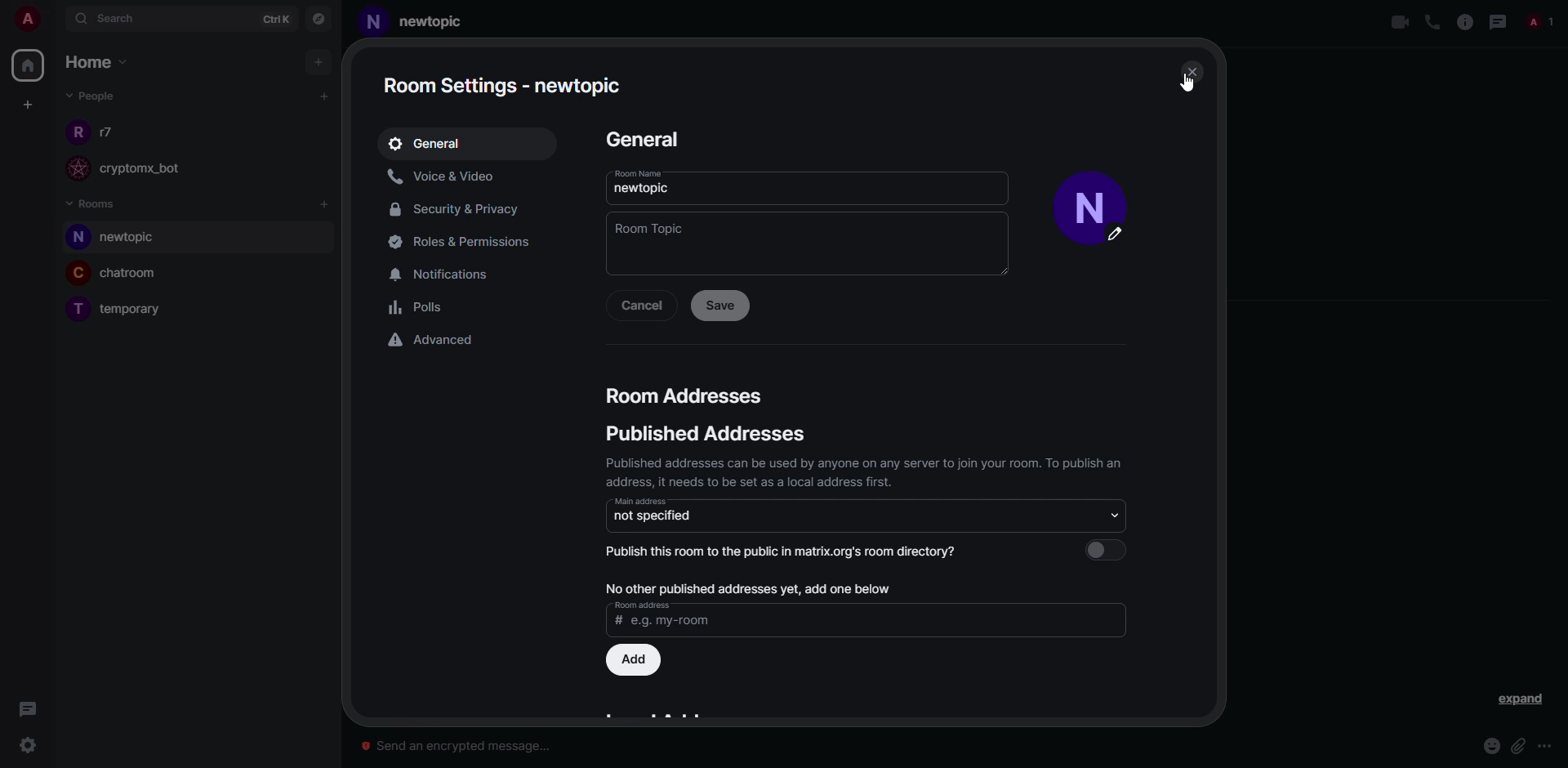 The image size is (1568, 768). What do you see at coordinates (866, 471) in the screenshot?
I see `info` at bounding box center [866, 471].